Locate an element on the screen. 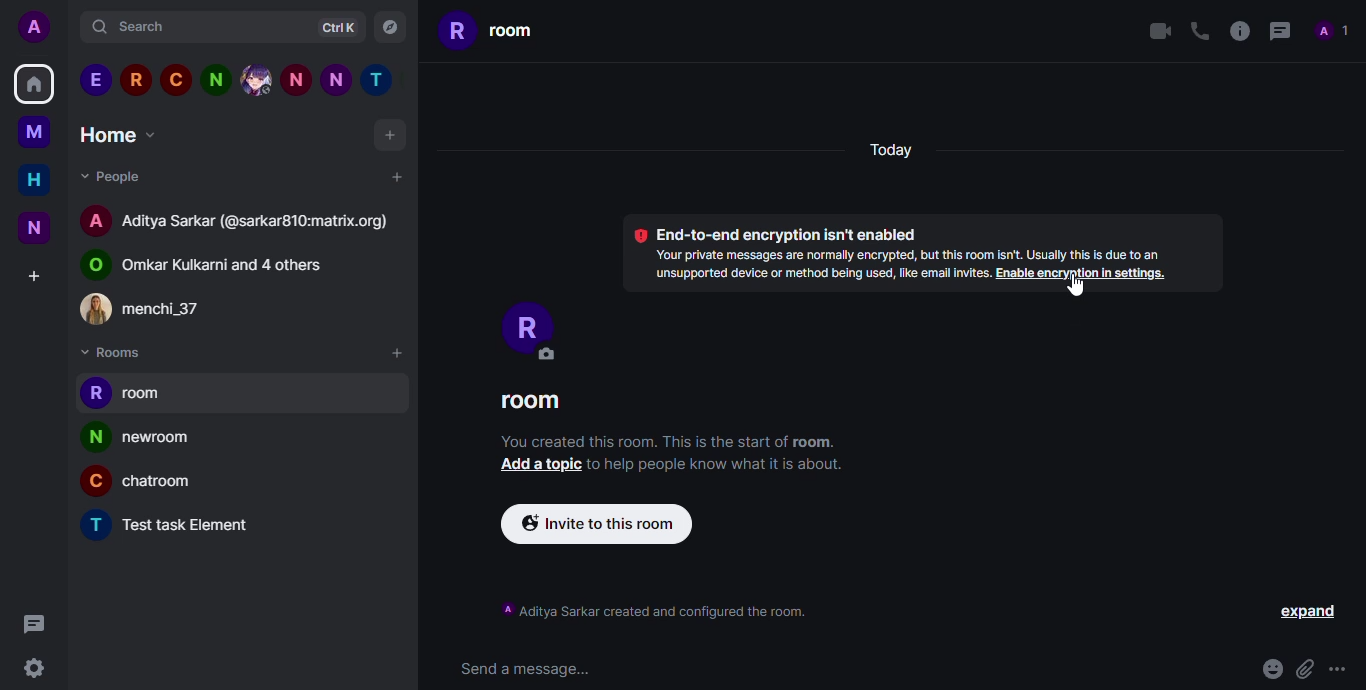  search is located at coordinates (141, 28).